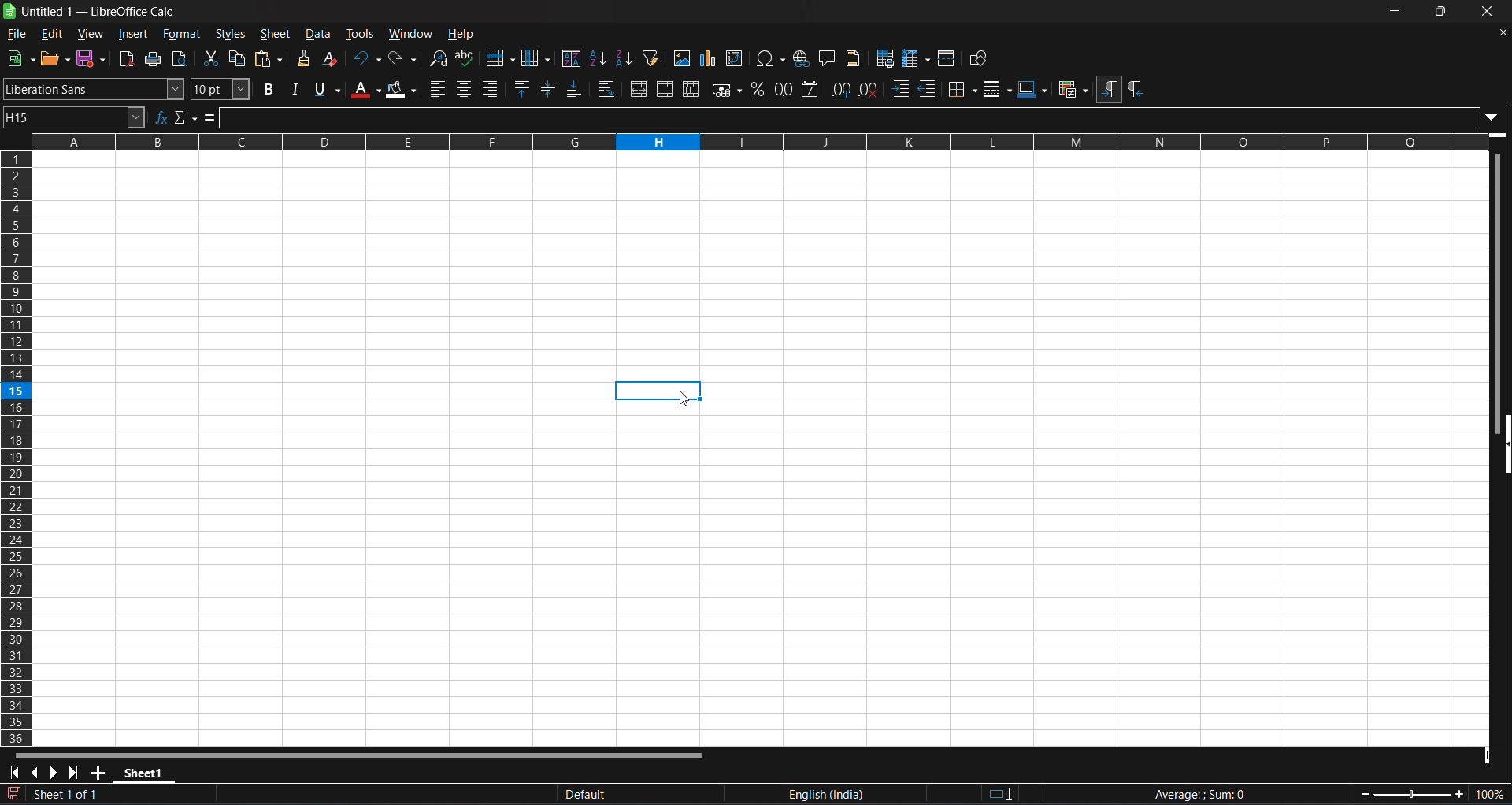 The image size is (1512, 805). Describe the element at coordinates (1432, 793) in the screenshot. I see `zoom factor` at that location.